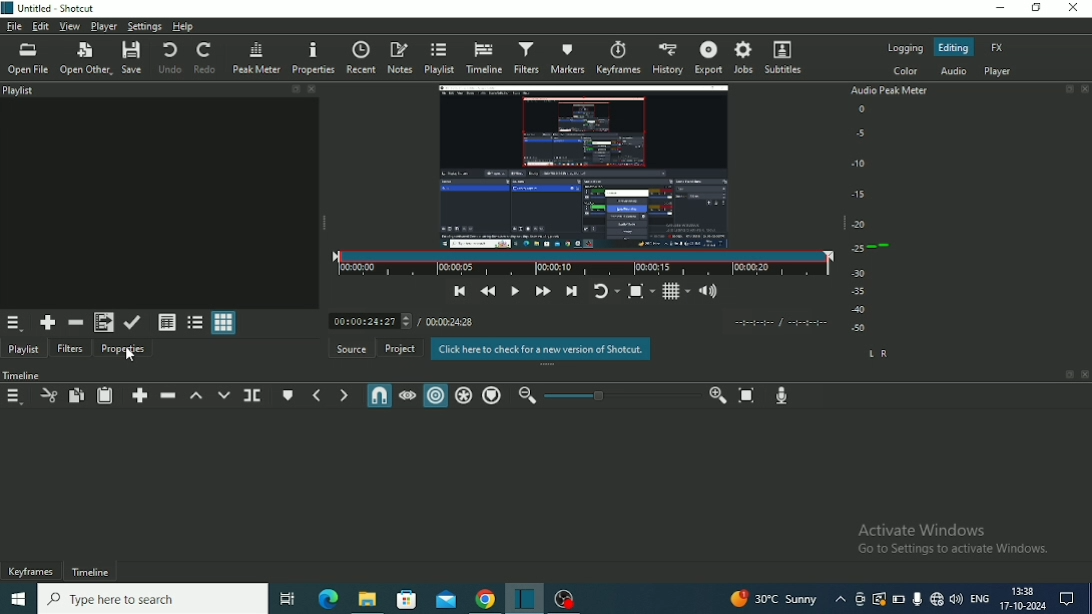 This screenshot has width=1092, height=614. I want to click on Open File, so click(27, 59).